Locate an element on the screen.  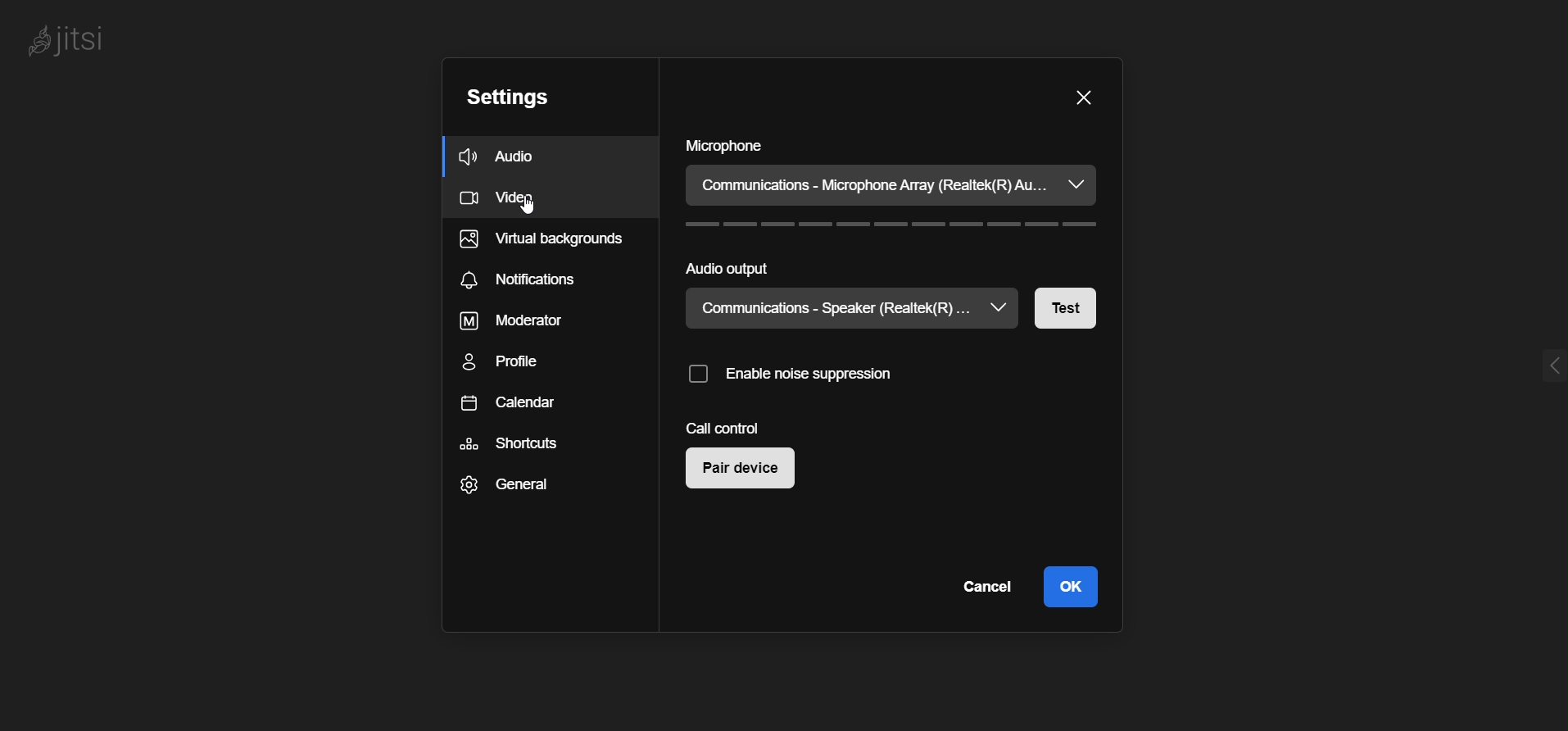
volume is located at coordinates (885, 228).